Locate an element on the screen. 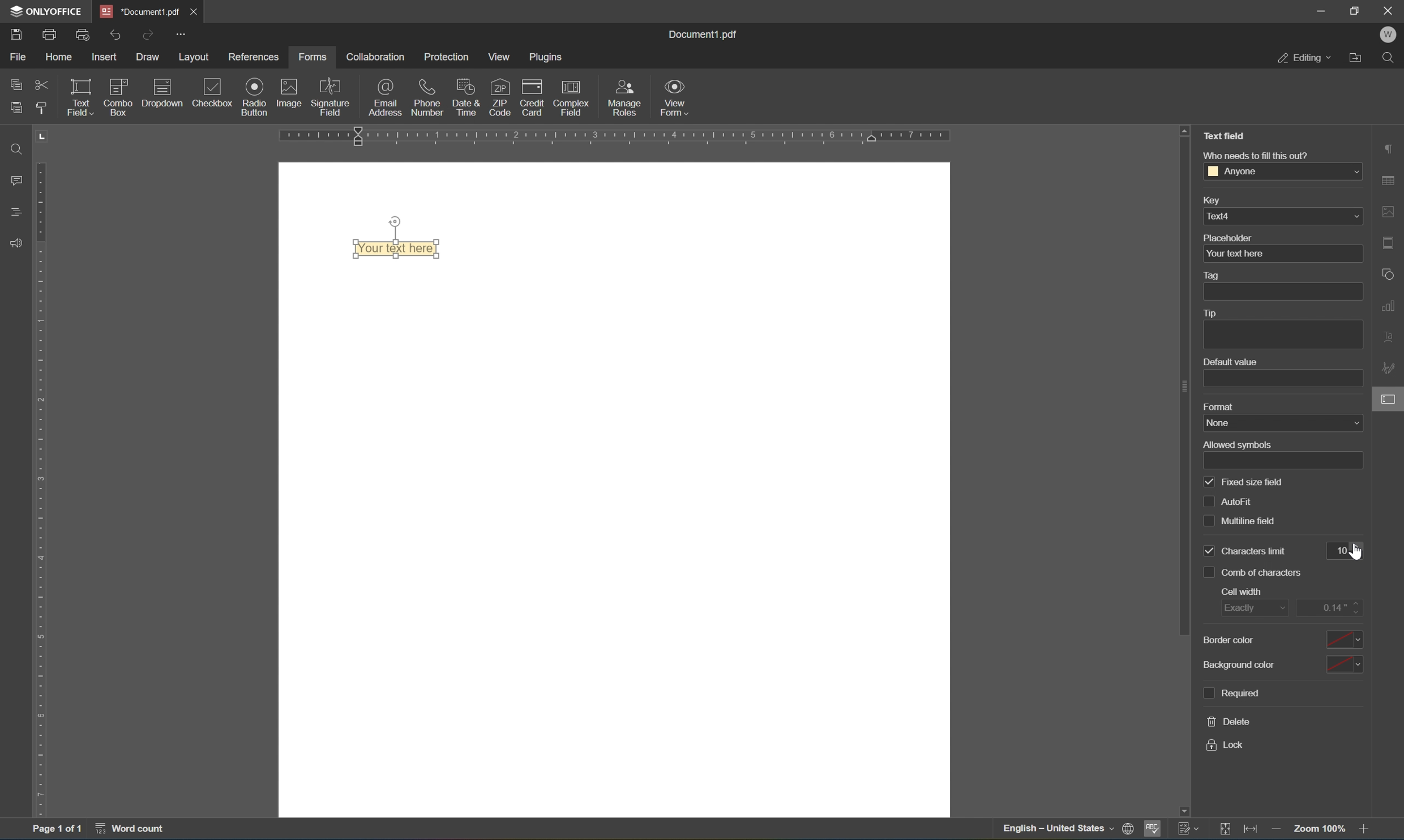 Image resolution: width=1404 pixels, height=840 pixels. more is located at coordinates (182, 33).